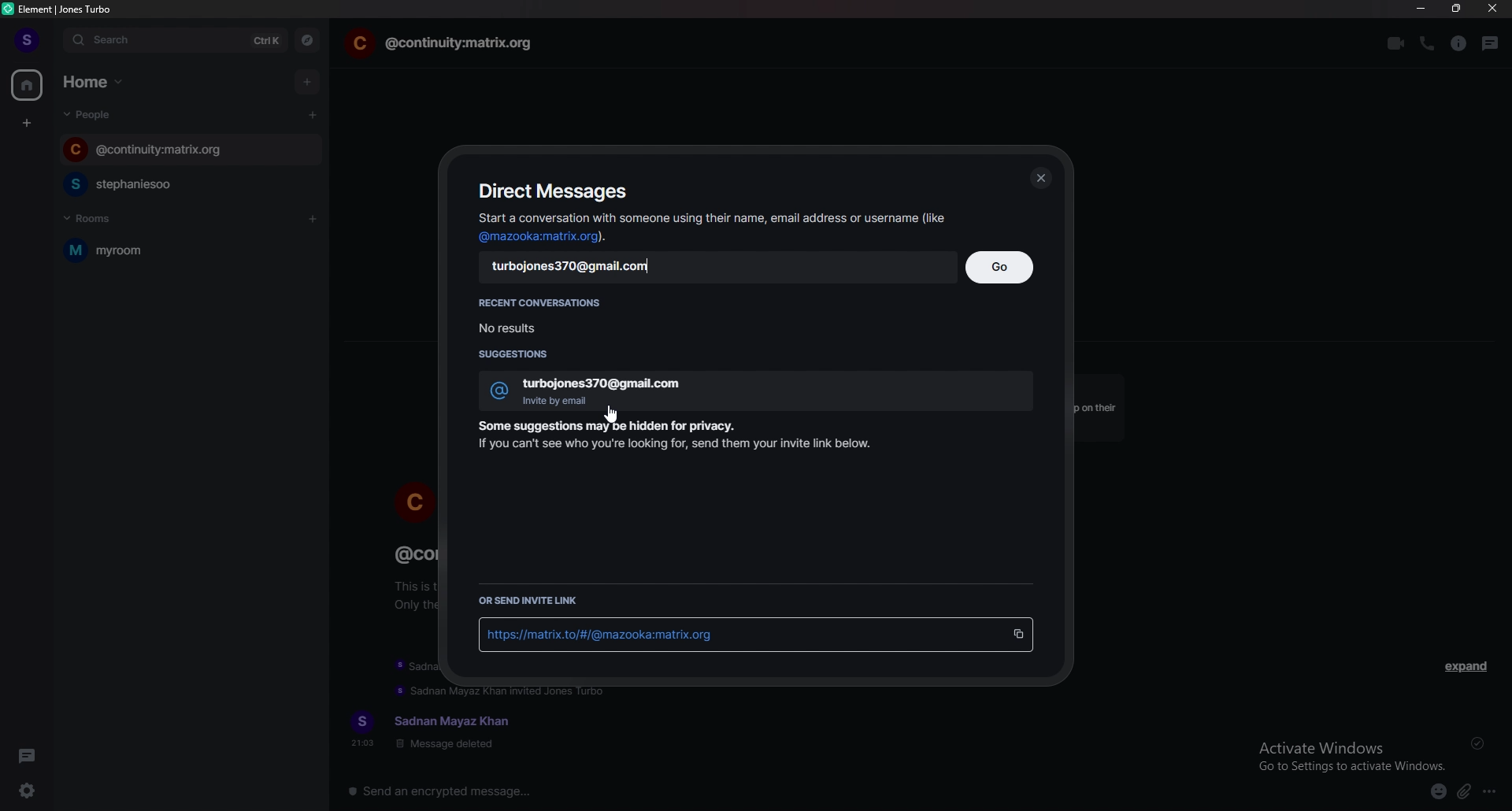  What do you see at coordinates (306, 79) in the screenshot?
I see `add` at bounding box center [306, 79].